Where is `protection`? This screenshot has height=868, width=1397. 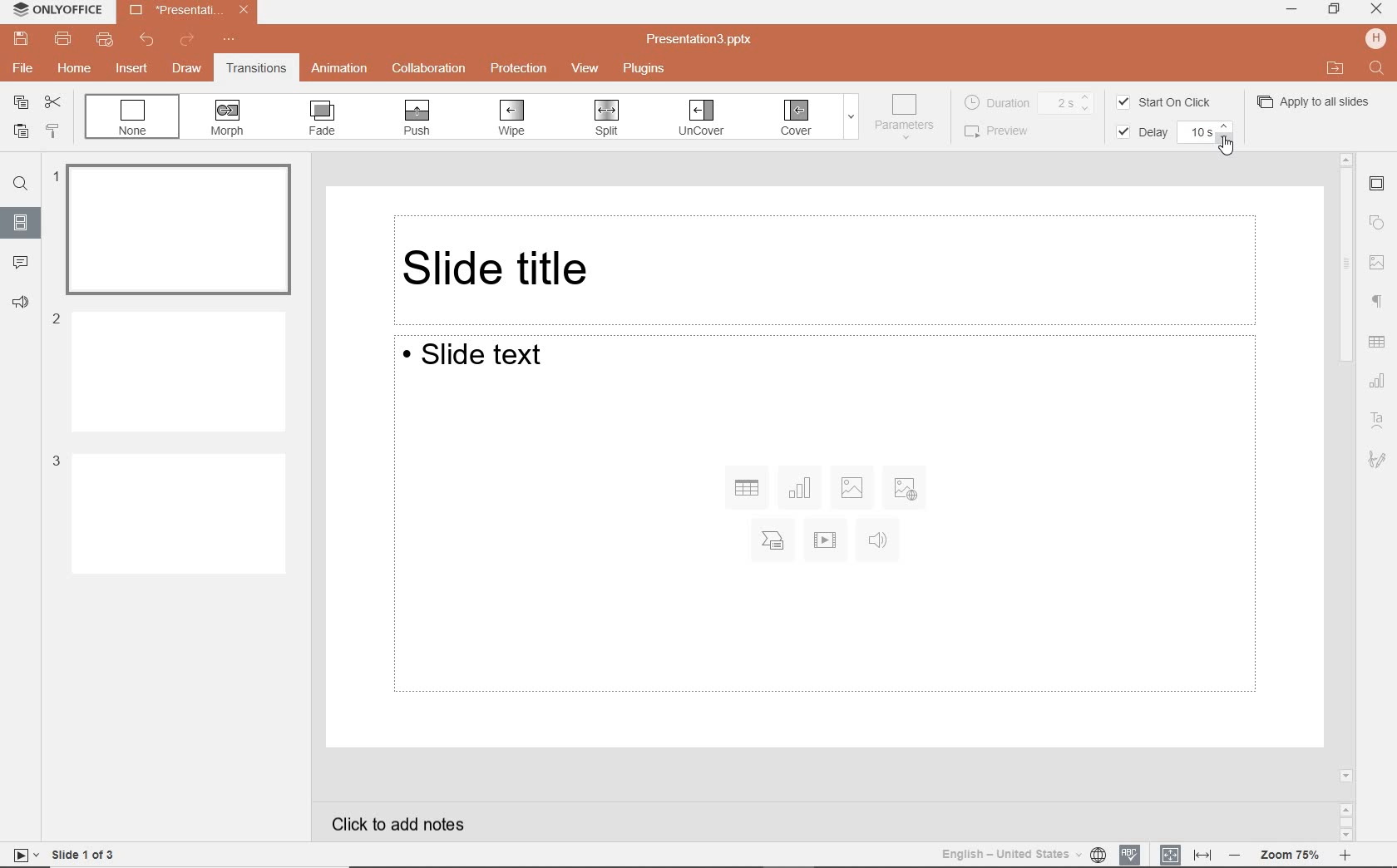
protection is located at coordinates (521, 70).